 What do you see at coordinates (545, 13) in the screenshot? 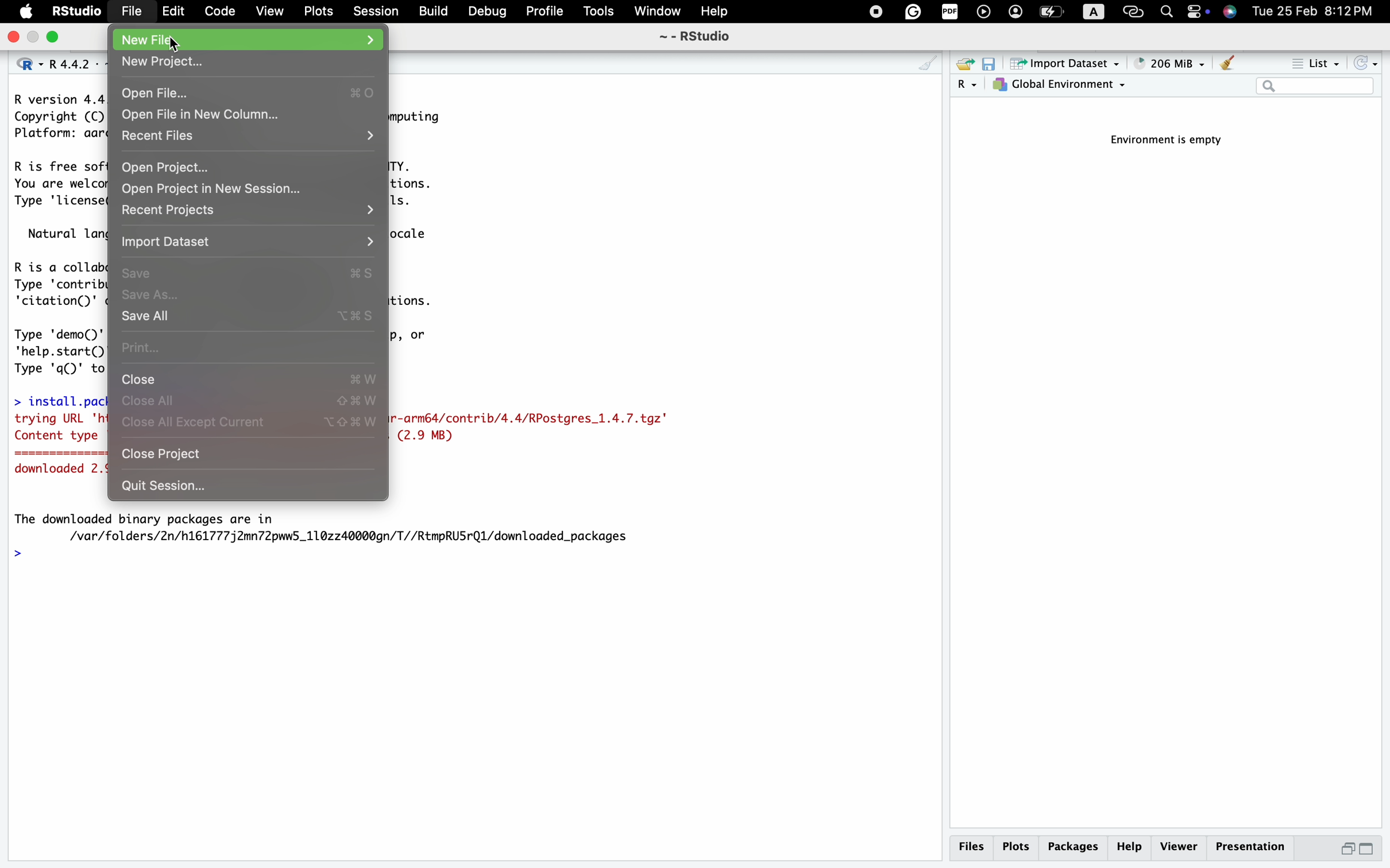
I see `profile` at bounding box center [545, 13].